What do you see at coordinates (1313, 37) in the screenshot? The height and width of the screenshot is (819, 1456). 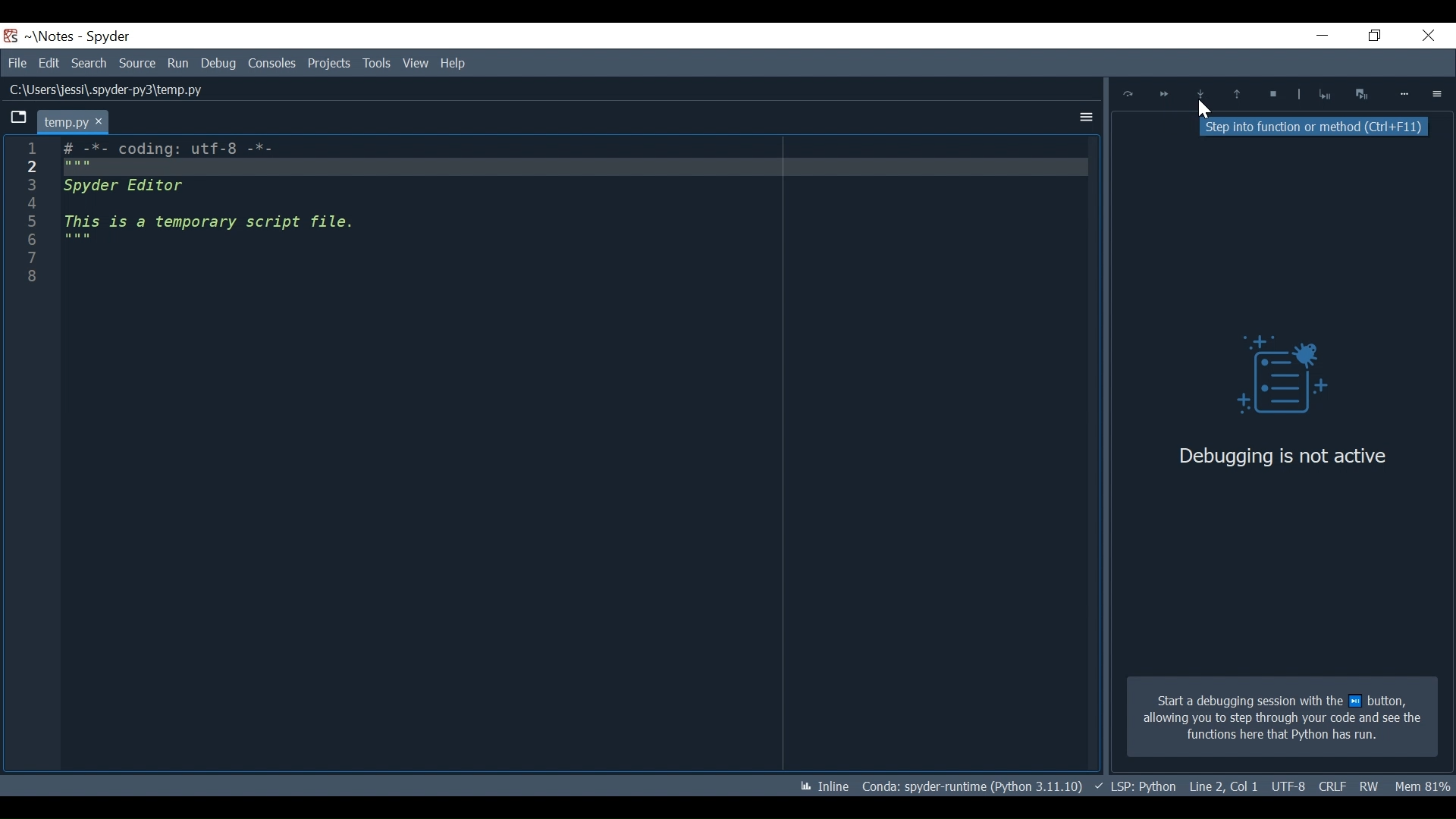 I see `Minimize` at bounding box center [1313, 37].